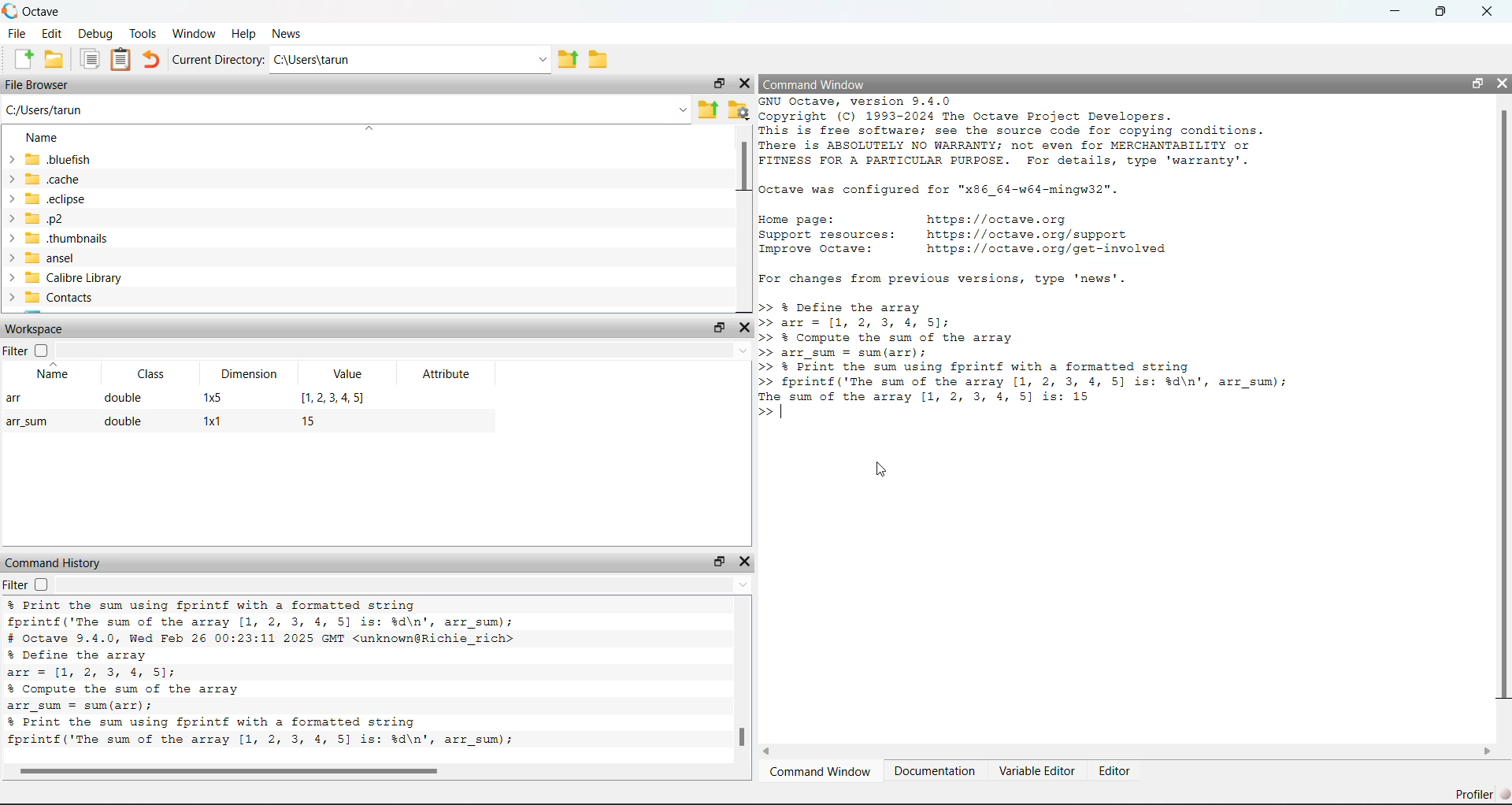 The width and height of the screenshot is (1512, 805). What do you see at coordinates (65, 278) in the screenshot?
I see `Calibre Library` at bounding box center [65, 278].